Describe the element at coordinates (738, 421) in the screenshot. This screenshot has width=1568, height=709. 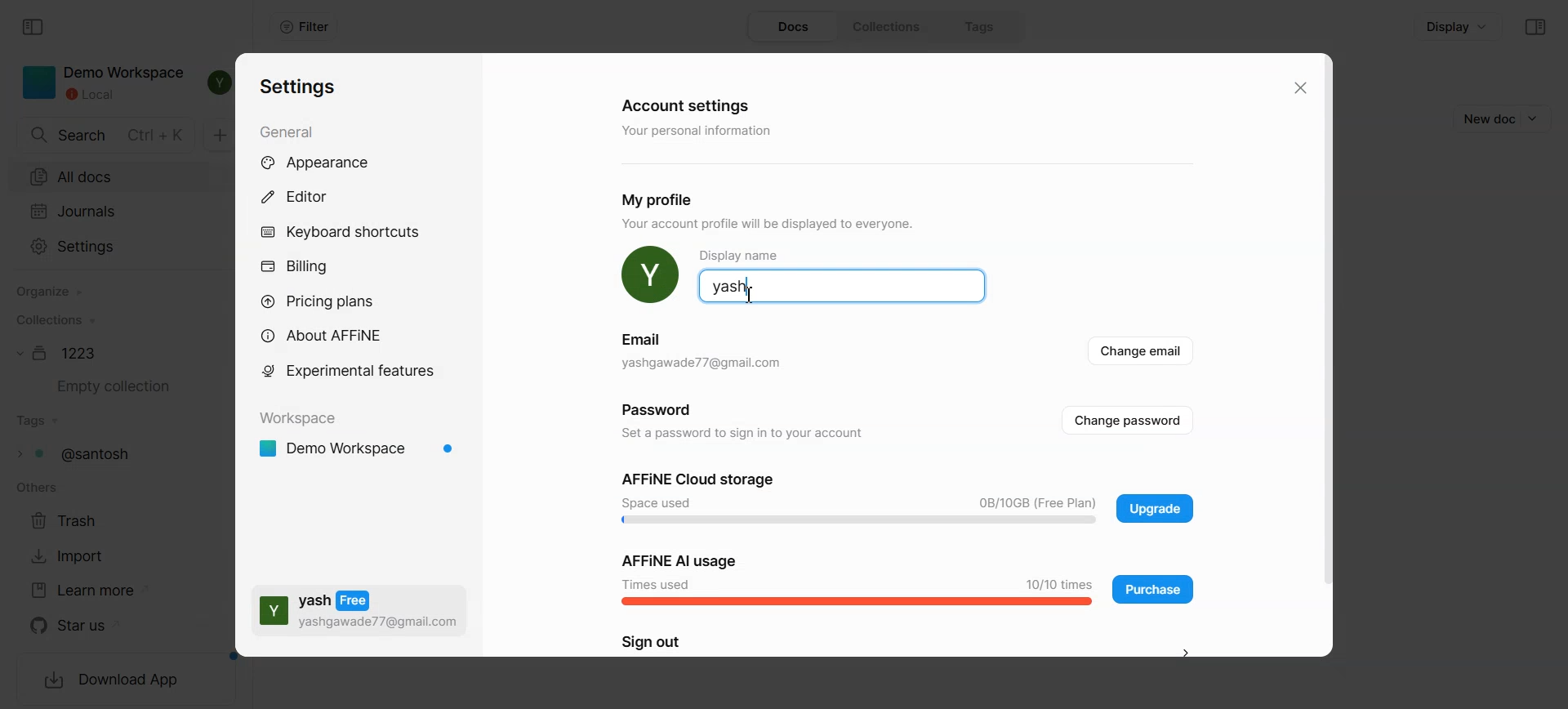
I see `Password Set a password to sign in to your account` at that location.